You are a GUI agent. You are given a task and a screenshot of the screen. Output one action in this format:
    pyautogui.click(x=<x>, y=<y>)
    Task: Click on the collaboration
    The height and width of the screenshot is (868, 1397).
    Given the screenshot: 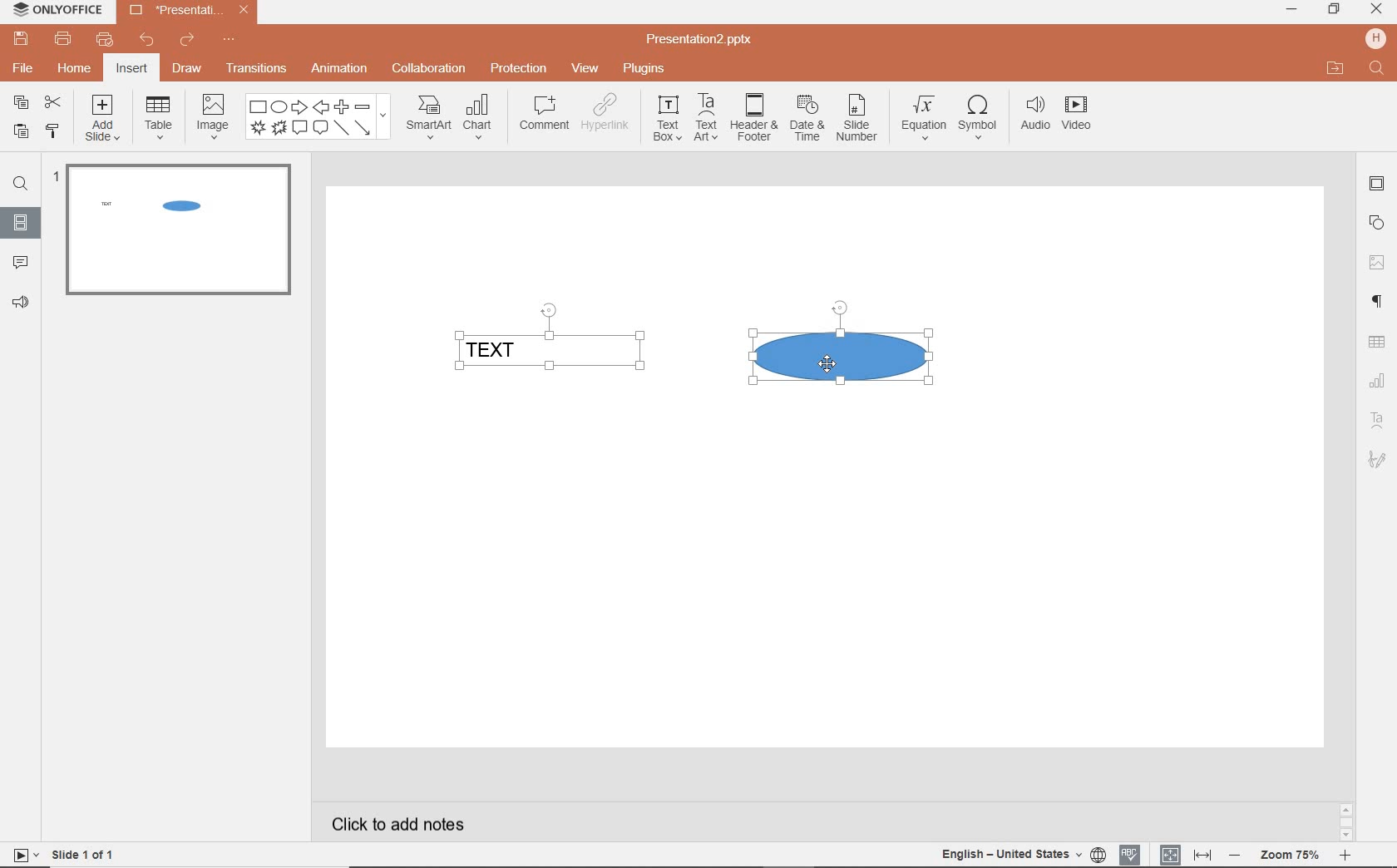 What is the action you would take?
    pyautogui.click(x=427, y=70)
    